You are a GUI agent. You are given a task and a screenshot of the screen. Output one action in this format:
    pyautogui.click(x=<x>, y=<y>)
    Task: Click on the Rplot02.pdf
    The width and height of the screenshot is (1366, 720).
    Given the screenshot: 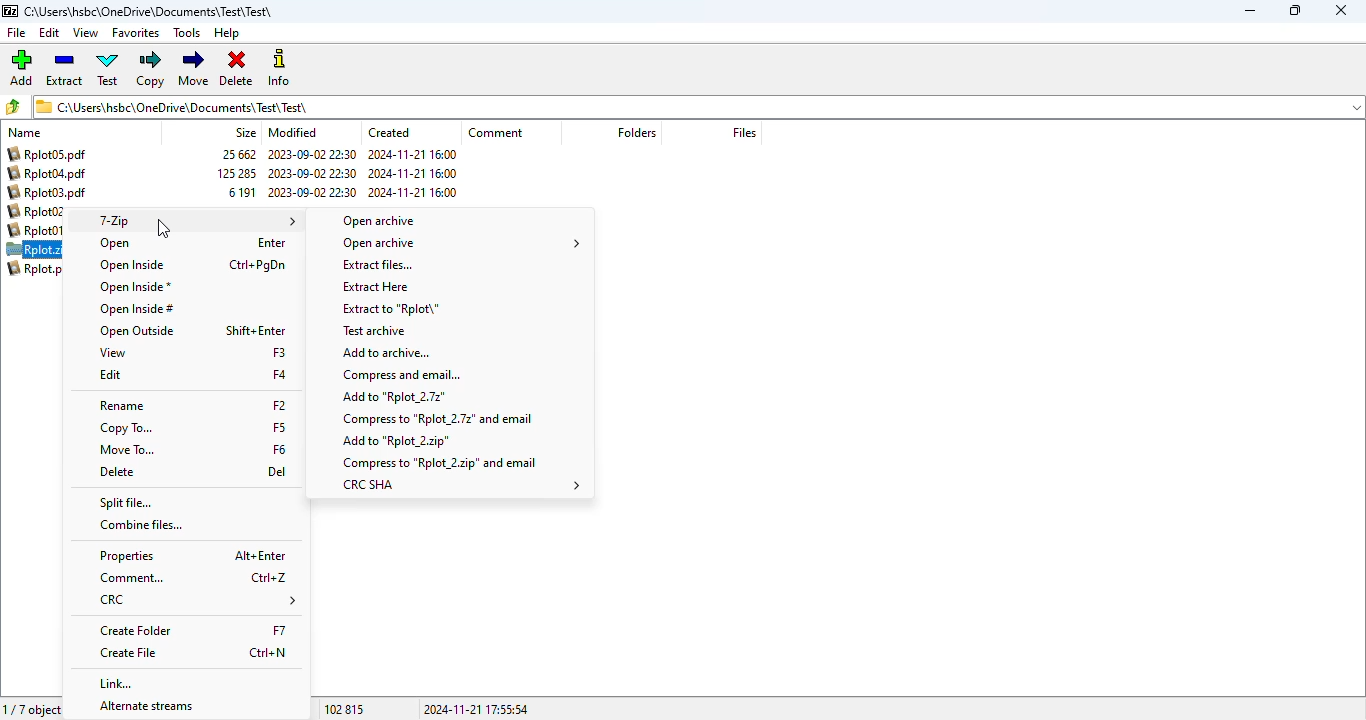 What is the action you would take?
    pyautogui.click(x=43, y=212)
    